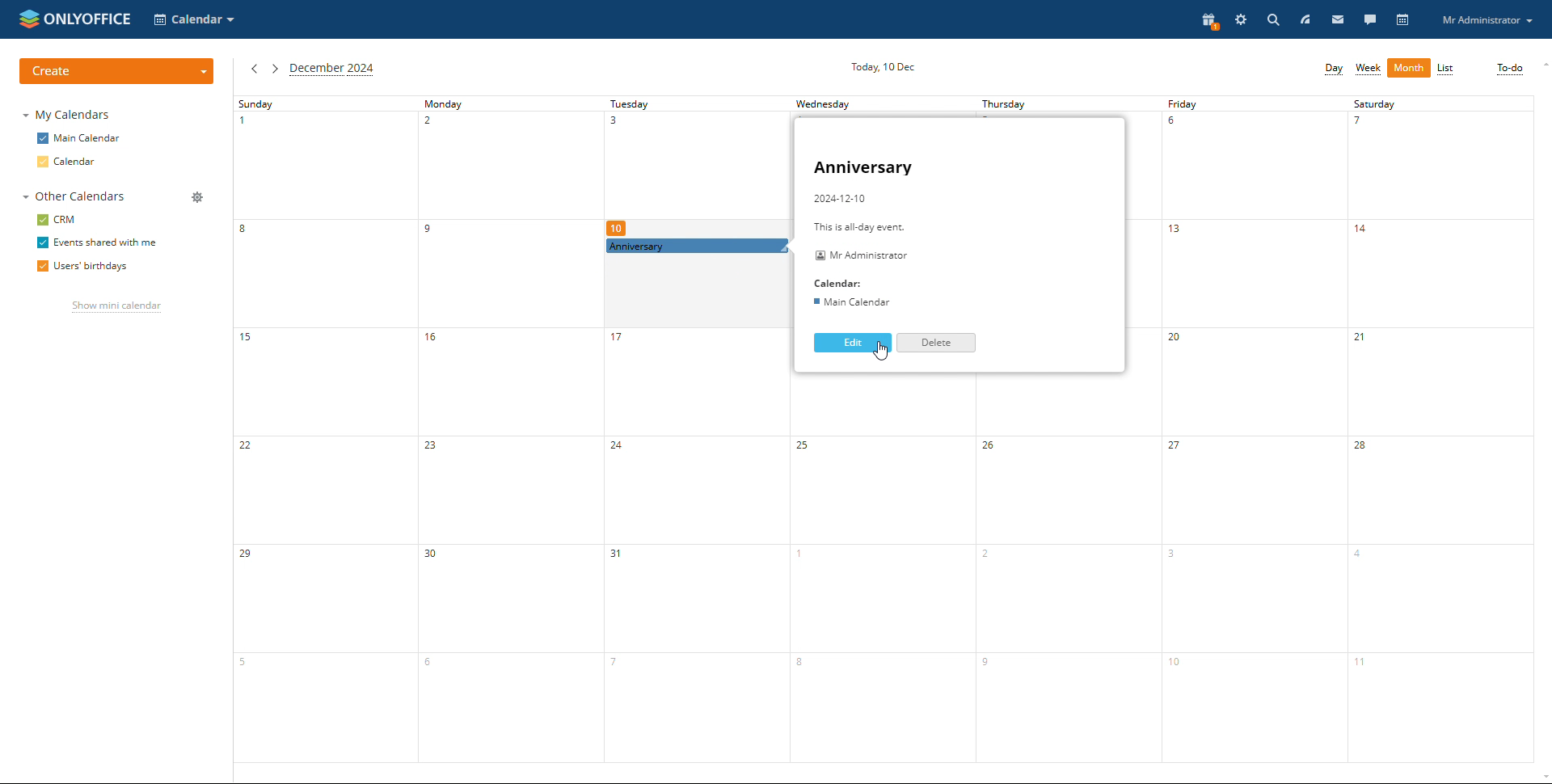 The image size is (1552, 784). Describe the element at coordinates (274, 69) in the screenshot. I see `next month` at that location.